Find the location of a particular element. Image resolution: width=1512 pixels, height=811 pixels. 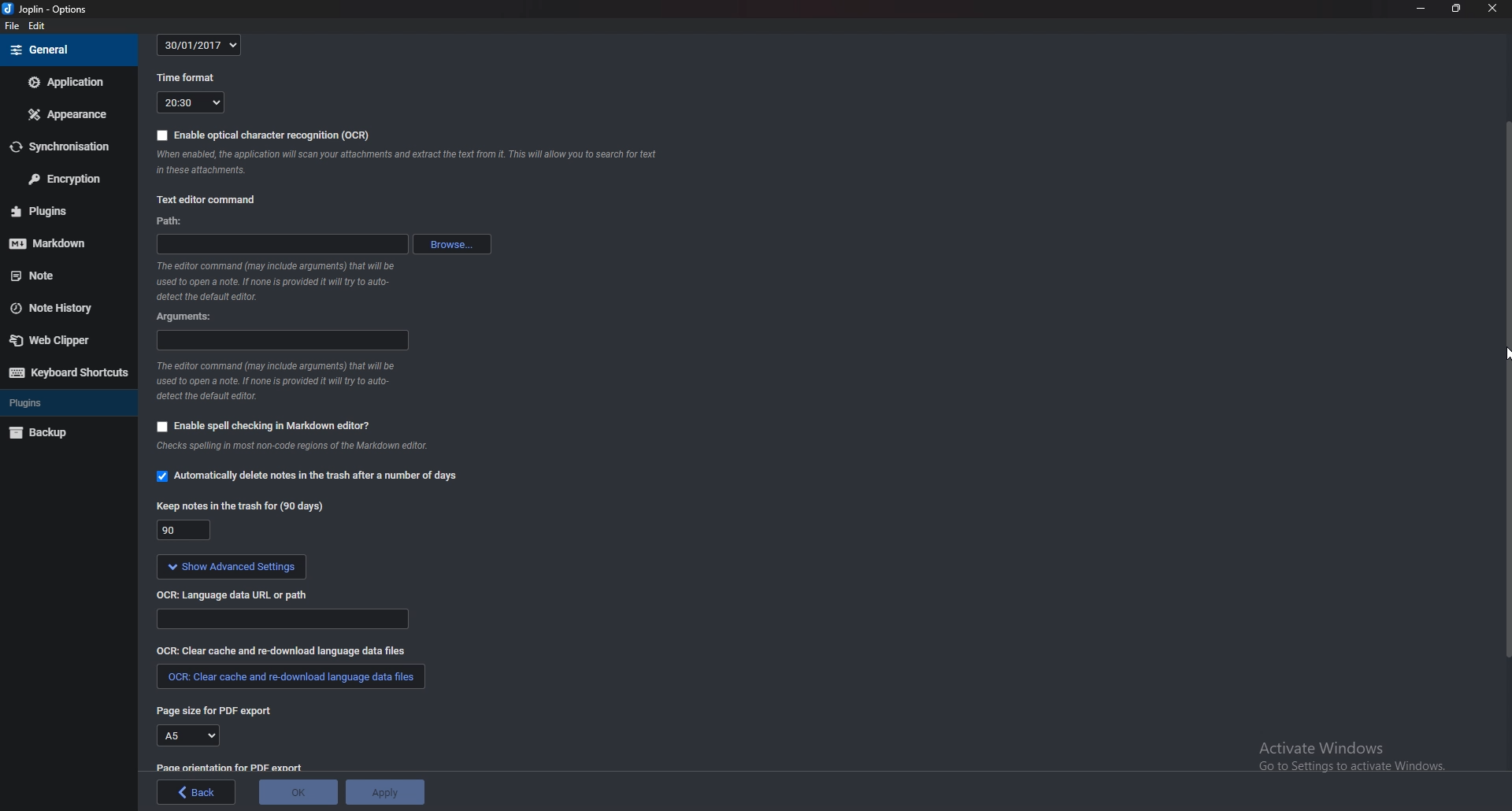

Back is located at coordinates (197, 792).